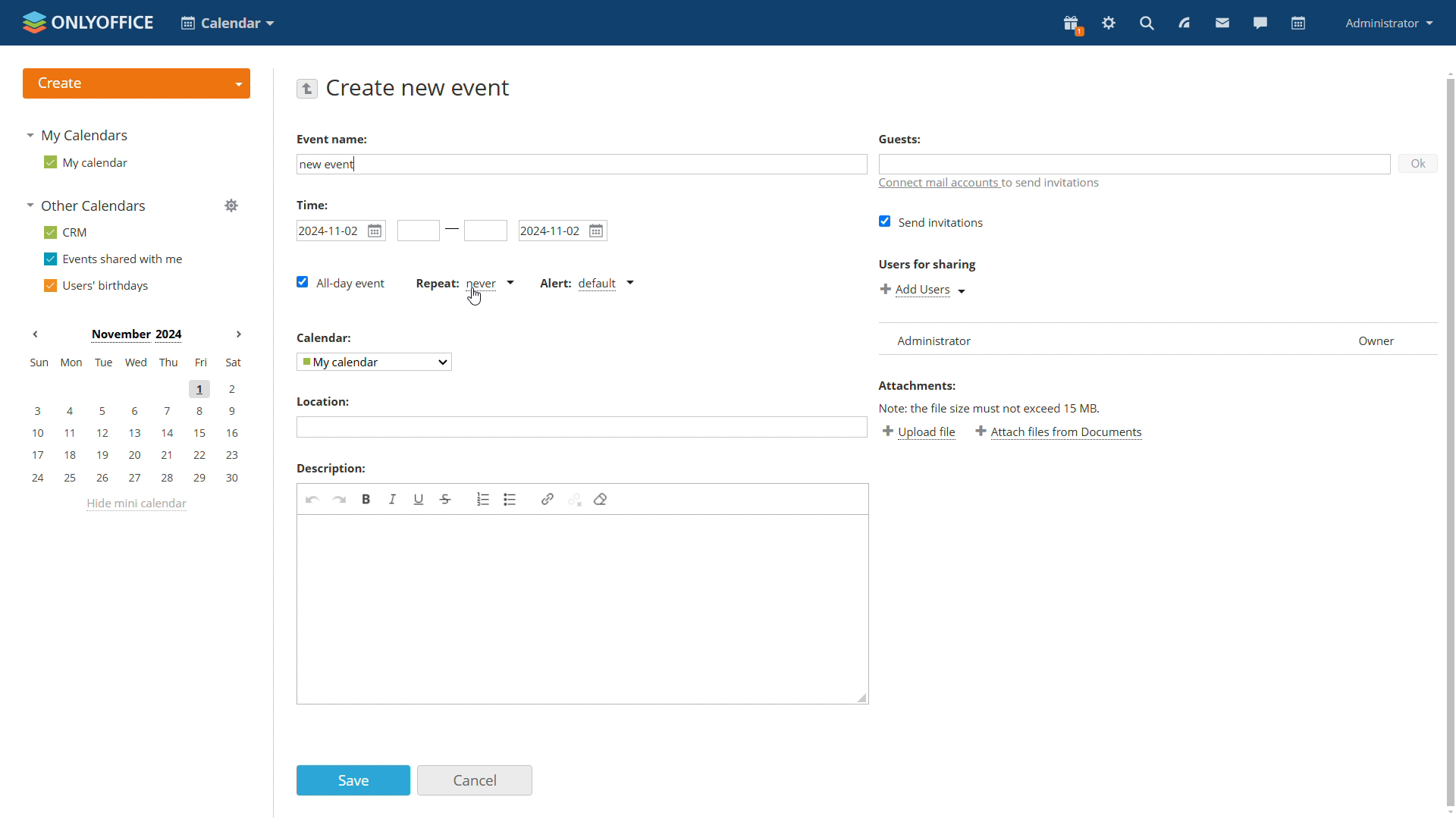 The width and height of the screenshot is (1456, 819). What do you see at coordinates (464, 284) in the screenshot?
I see `event repetition` at bounding box center [464, 284].